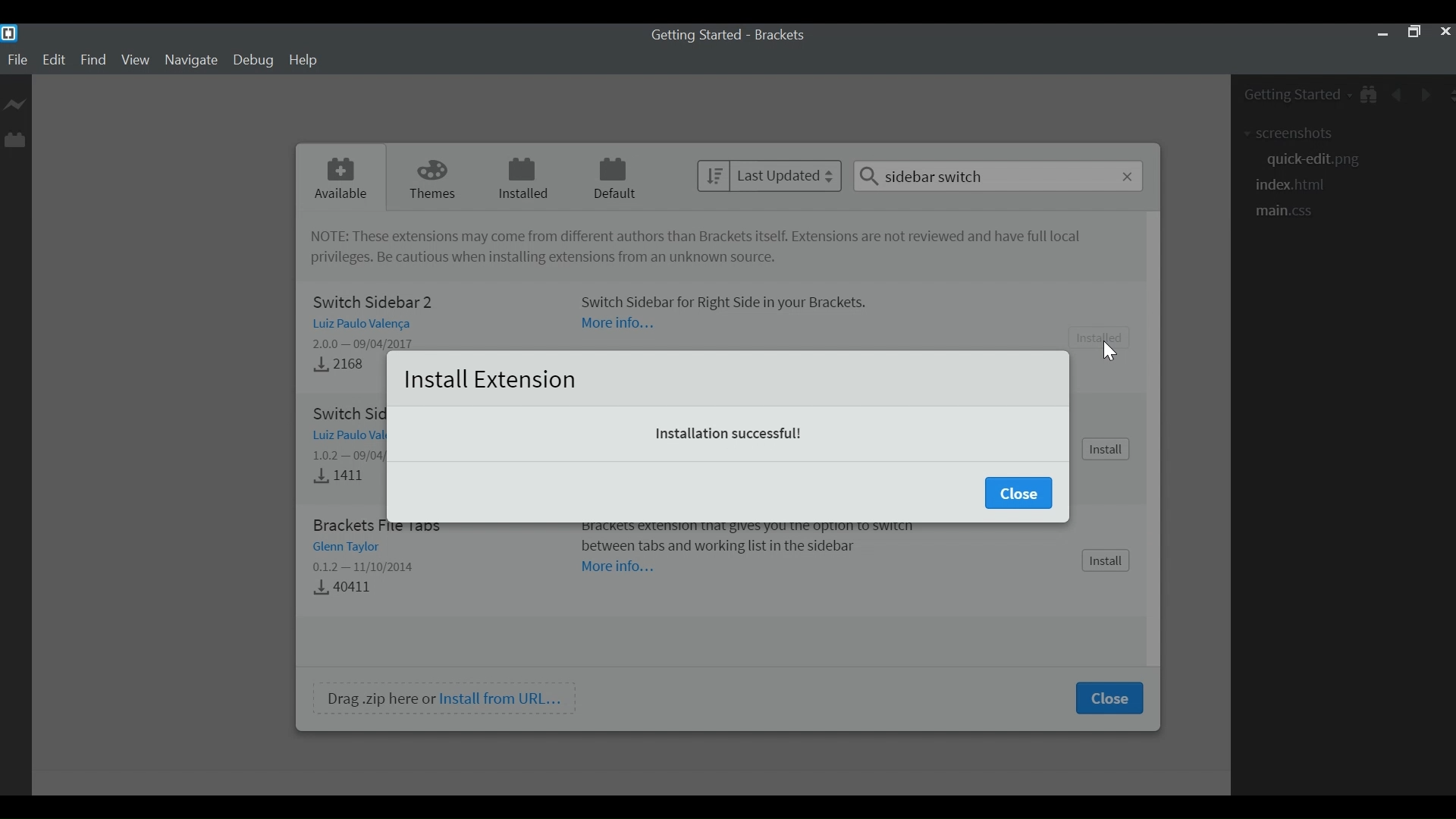 The width and height of the screenshot is (1456, 819). I want to click on Version - Released Date, so click(372, 344).